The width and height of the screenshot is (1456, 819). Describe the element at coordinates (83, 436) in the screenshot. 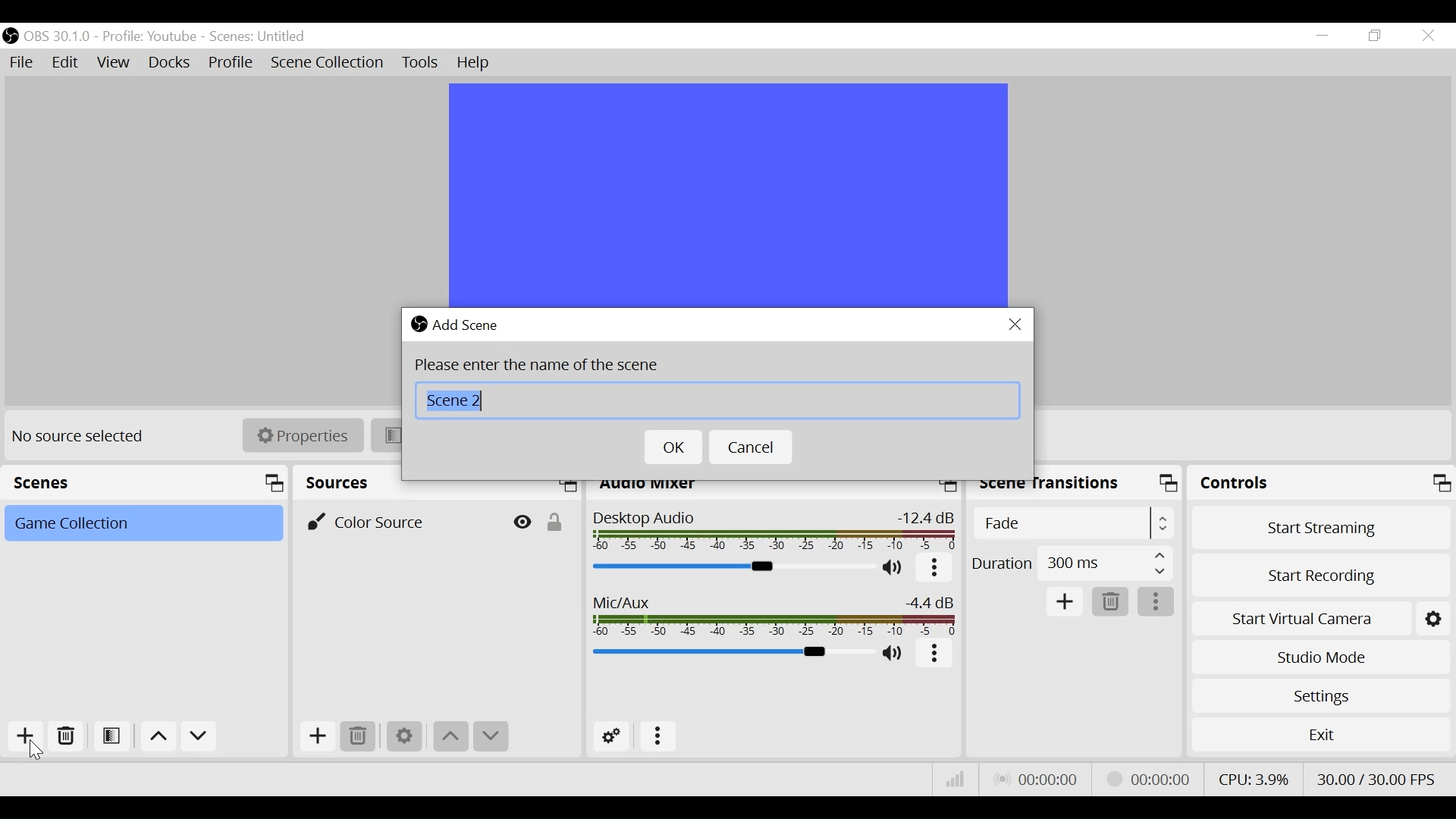

I see `No source selected` at that location.